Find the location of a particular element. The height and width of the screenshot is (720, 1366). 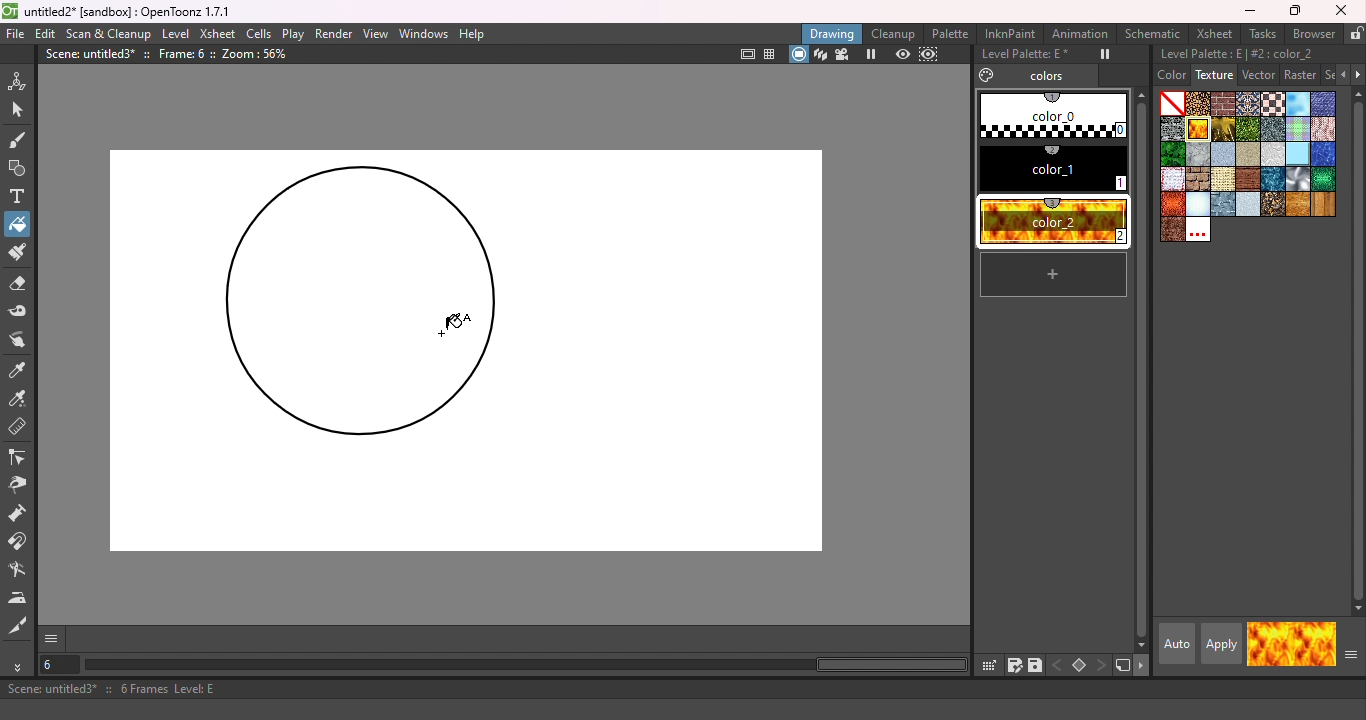

Cloud.bmp is located at coordinates (1298, 103).